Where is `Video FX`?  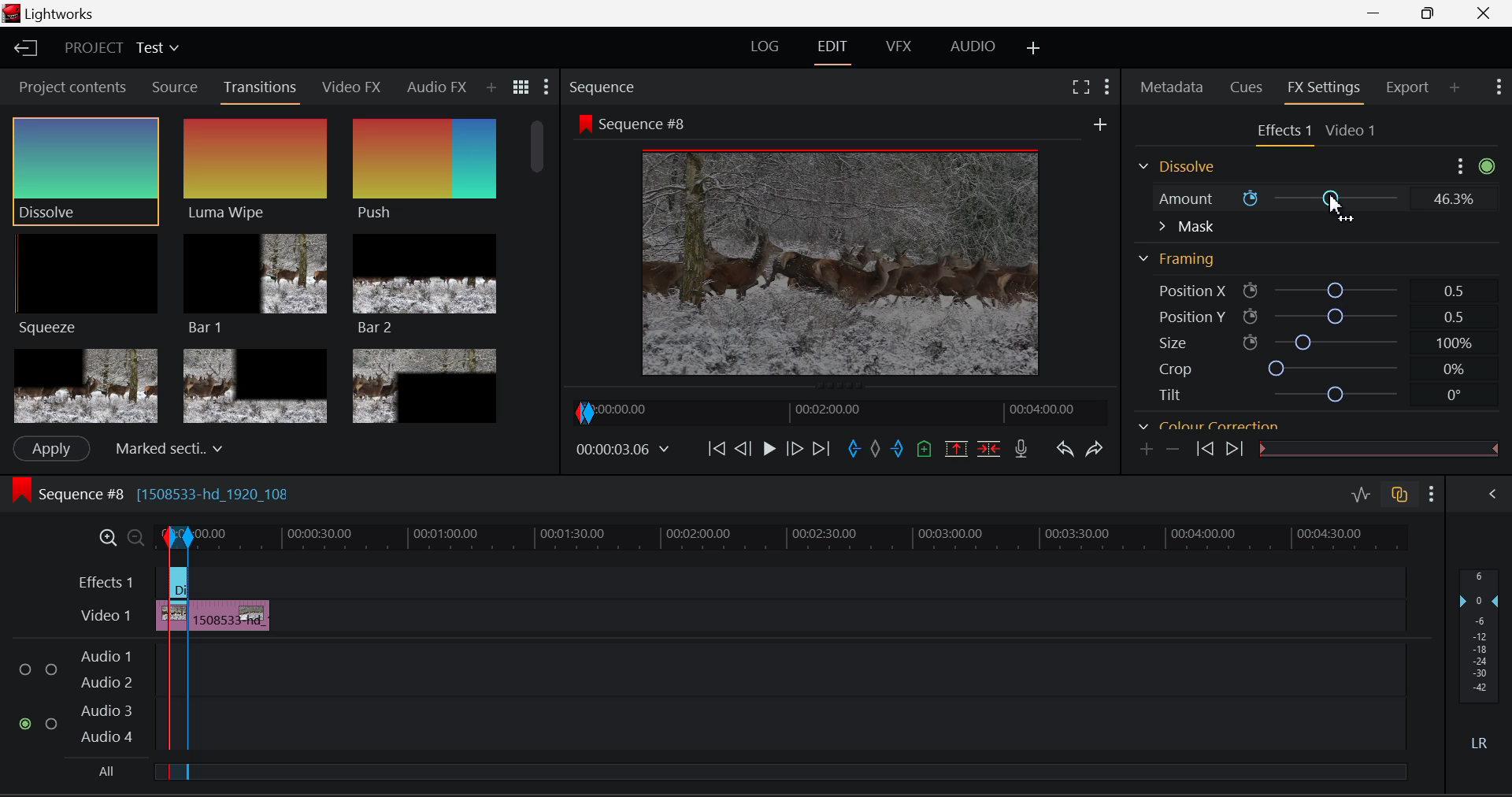 Video FX is located at coordinates (353, 89).